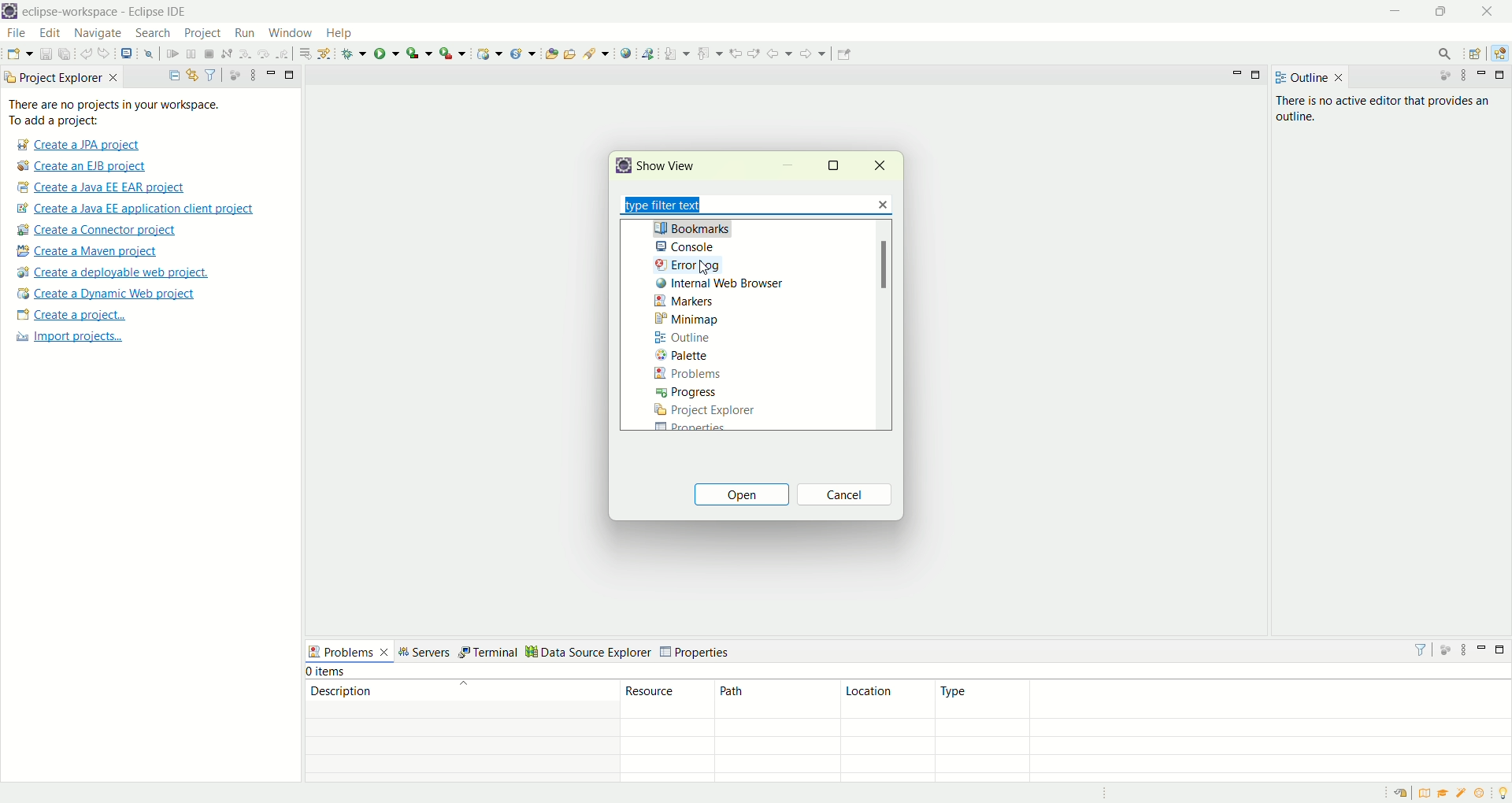 This screenshot has height=803, width=1512. What do you see at coordinates (1399, 794) in the screenshot?
I see `restore welcome` at bounding box center [1399, 794].